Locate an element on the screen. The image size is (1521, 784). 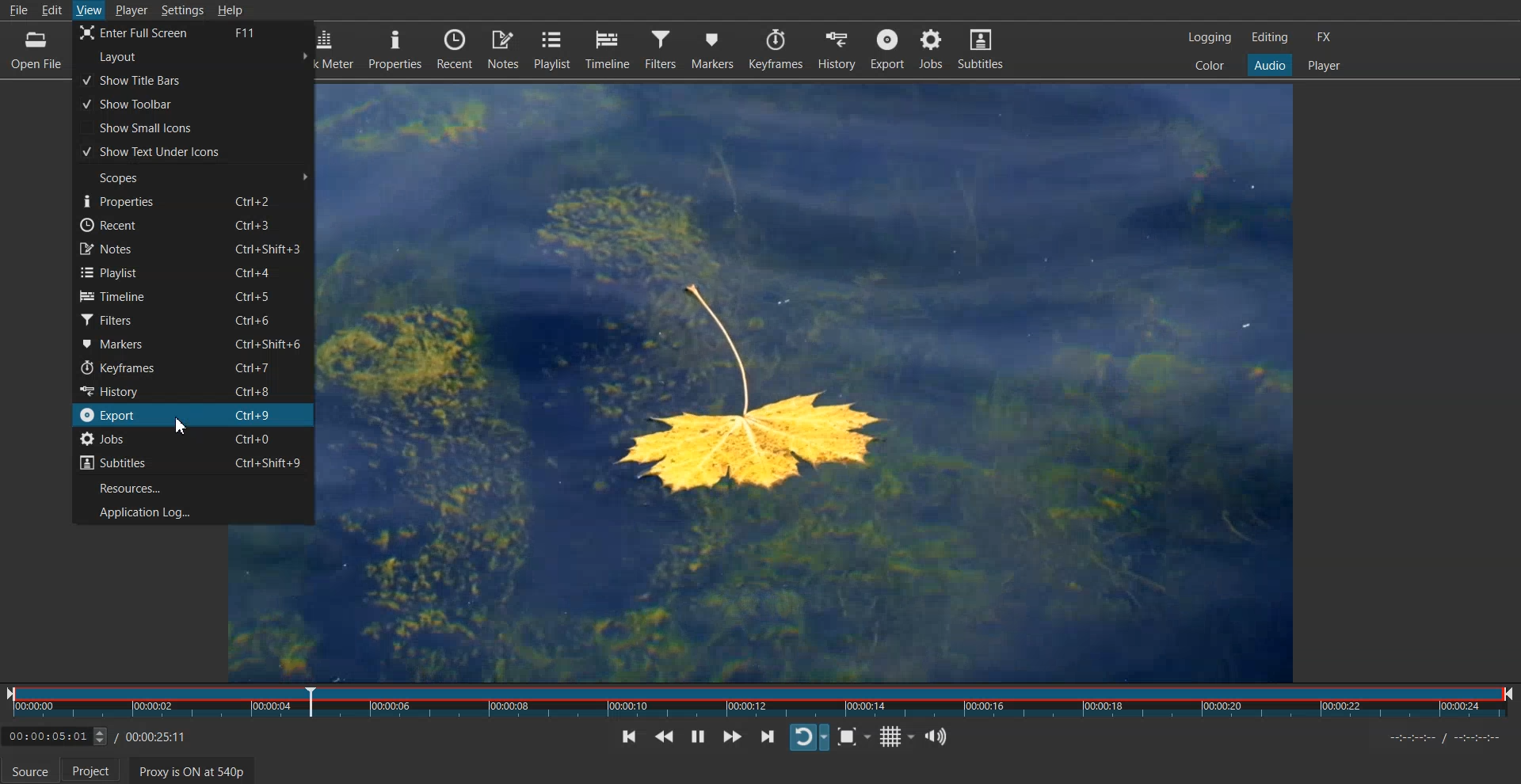
History is located at coordinates (837, 48).